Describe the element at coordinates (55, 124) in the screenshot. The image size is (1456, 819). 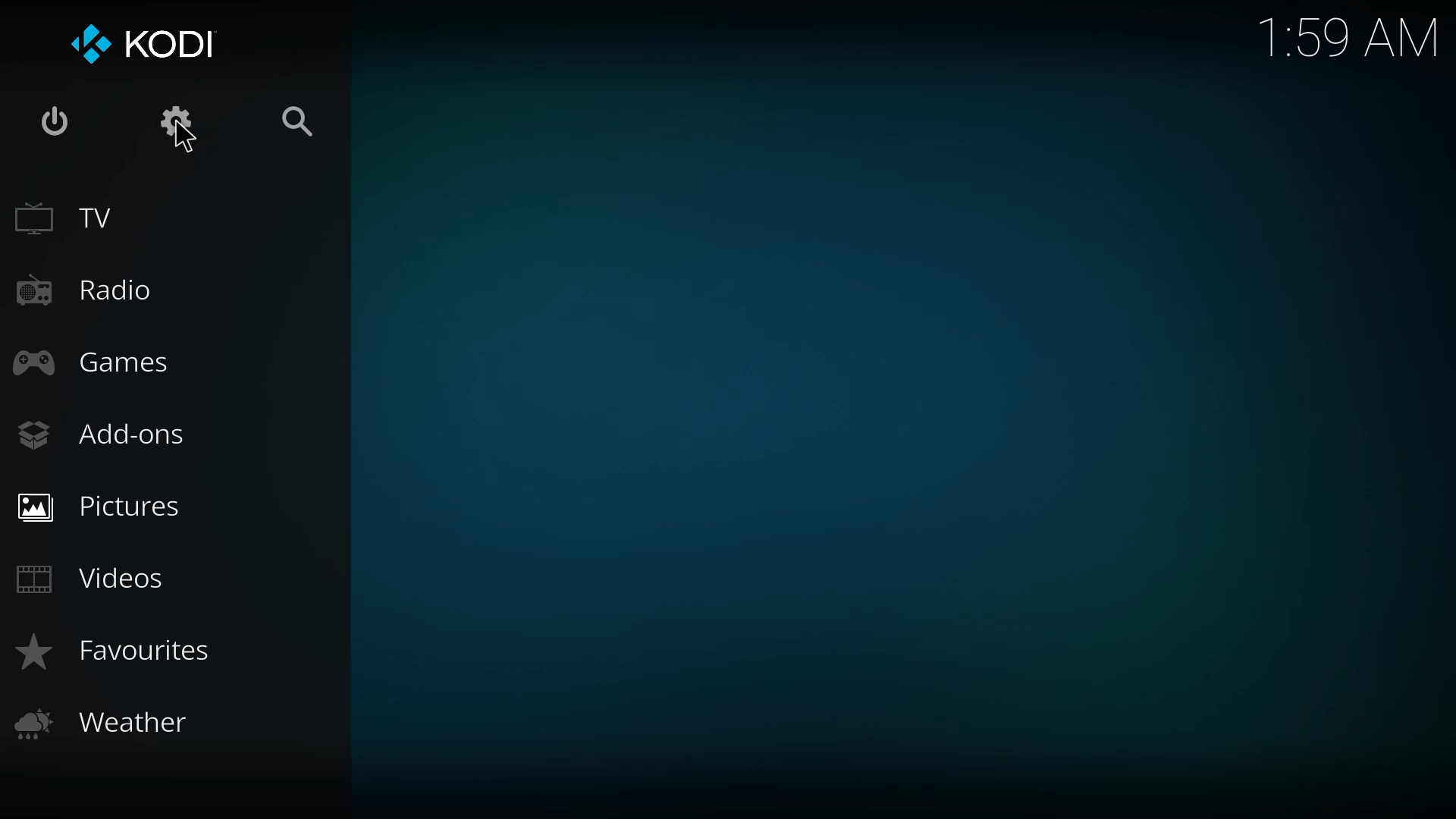
I see `power` at that location.